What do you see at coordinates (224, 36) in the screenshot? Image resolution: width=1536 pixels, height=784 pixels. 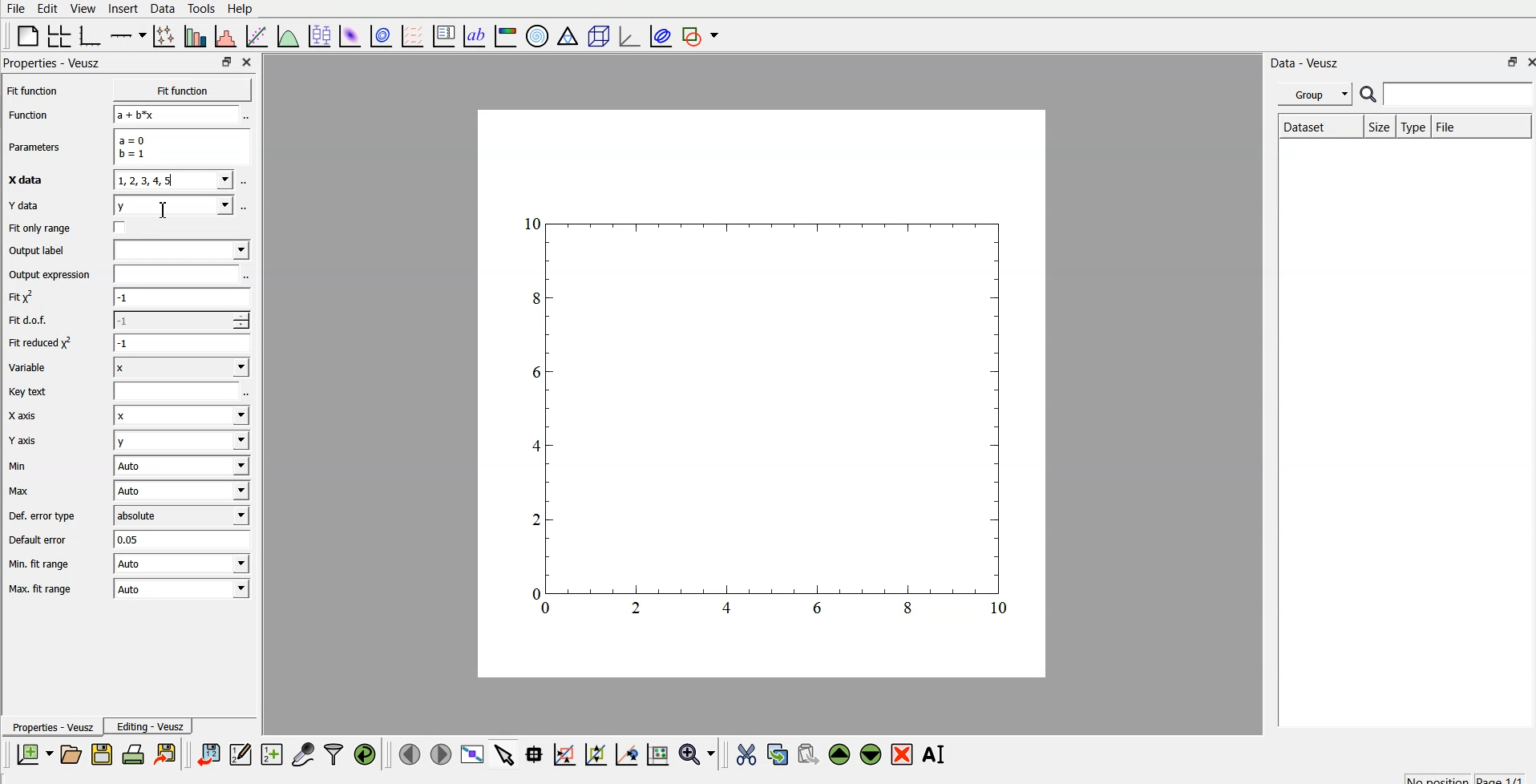 I see `histogram of a dataset` at bounding box center [224, 36].